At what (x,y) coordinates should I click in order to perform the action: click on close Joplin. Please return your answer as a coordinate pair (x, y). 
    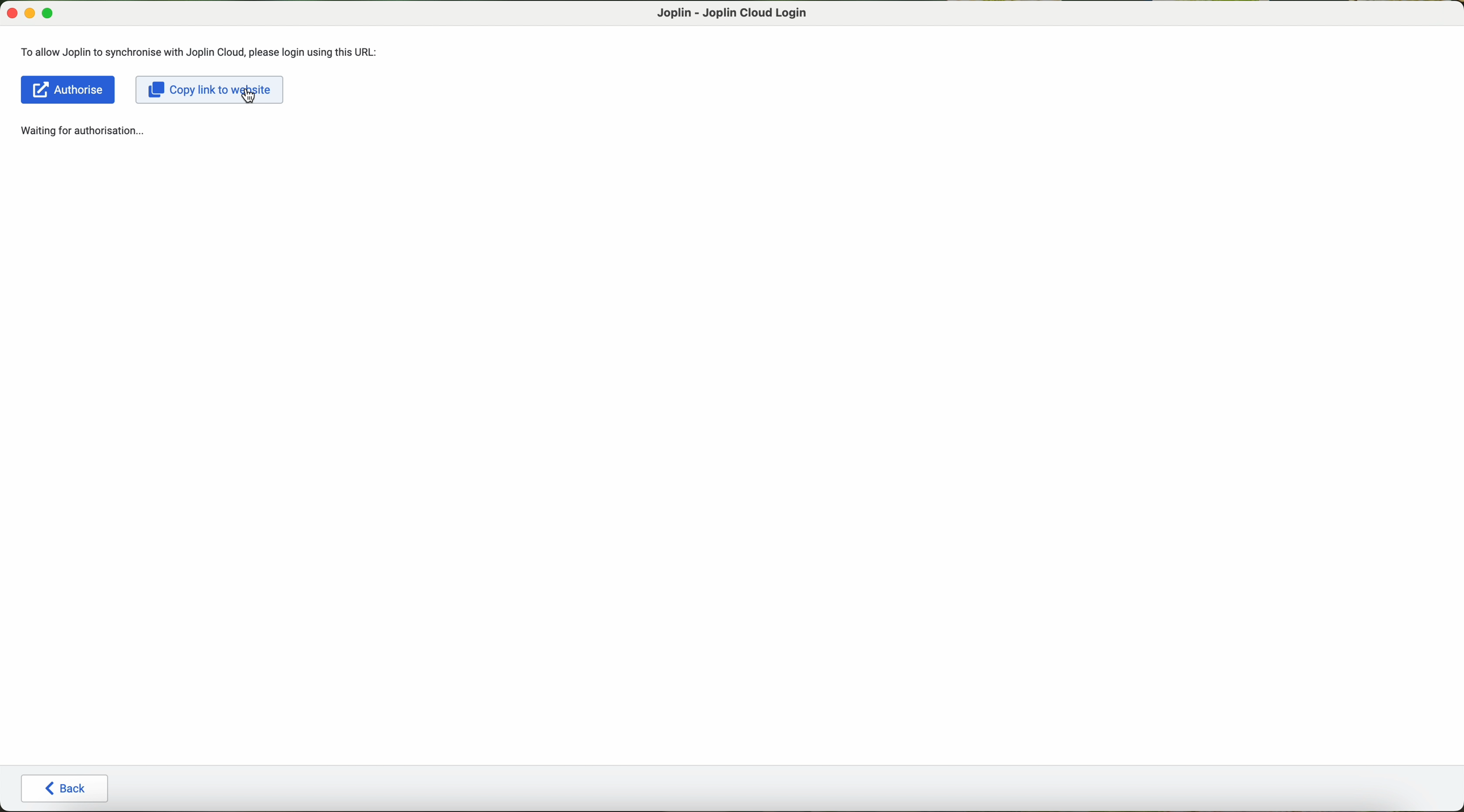
    Looking at the image, I should click on (12, 14).